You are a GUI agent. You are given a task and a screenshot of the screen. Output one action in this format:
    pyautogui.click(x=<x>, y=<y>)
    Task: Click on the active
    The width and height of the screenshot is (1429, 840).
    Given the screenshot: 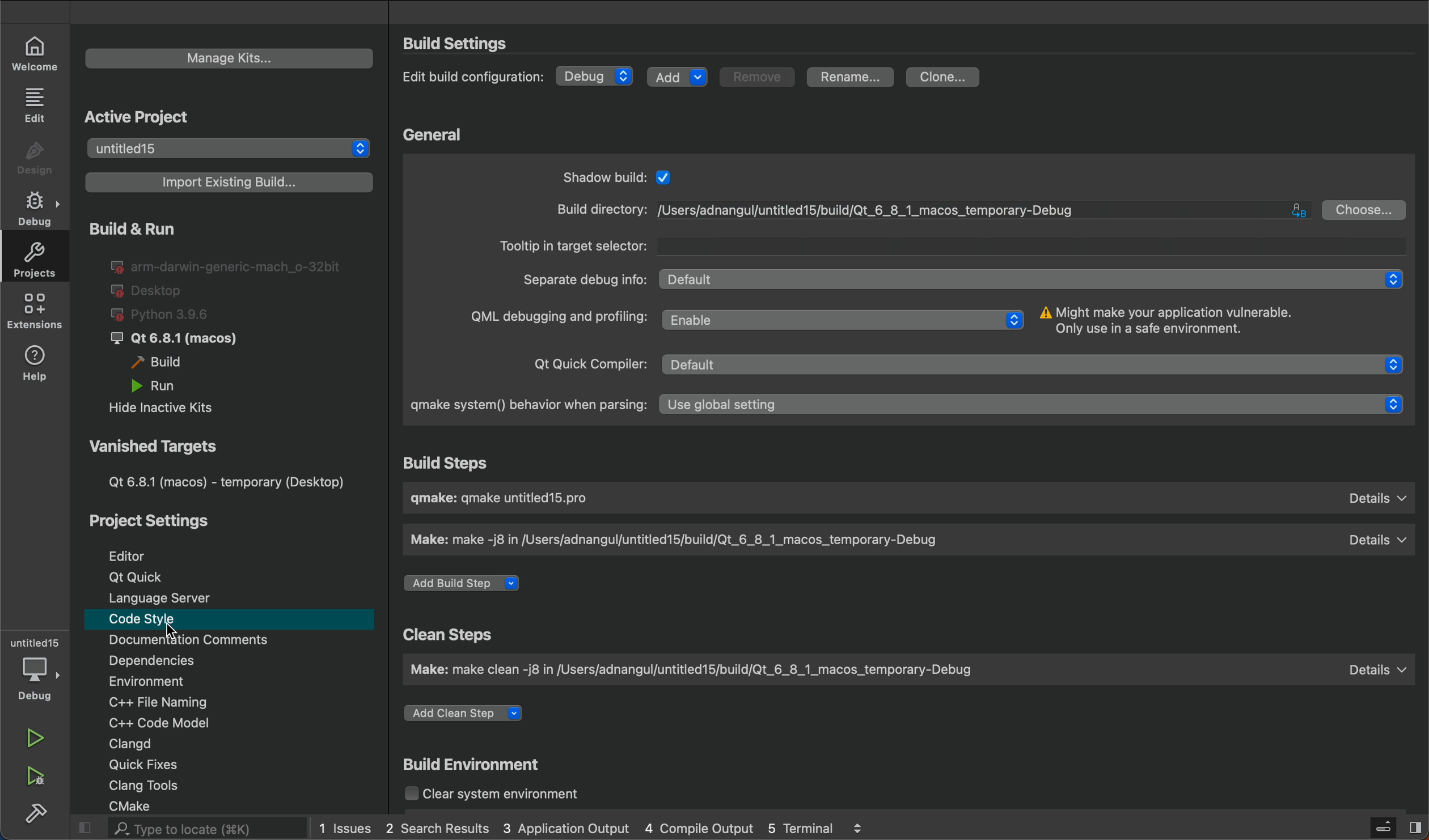 What is the action you would take?
    pyautogui.click(x=142, y=115)
    